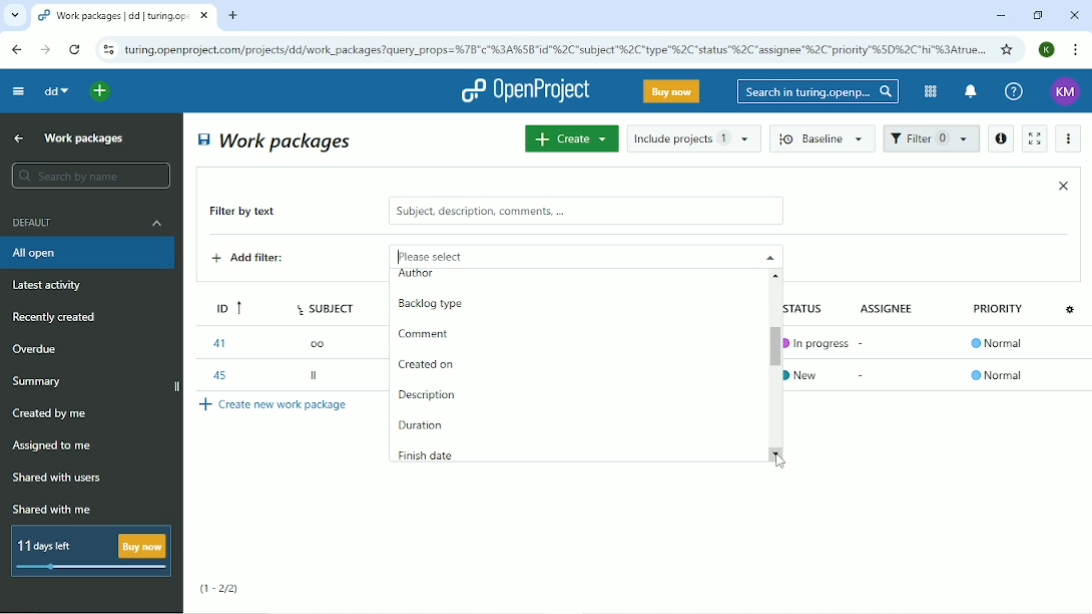 The image size is (1092, 614). Describe the element at coordinates (1014, 92) in the screenshot. I see `Help` at that location.